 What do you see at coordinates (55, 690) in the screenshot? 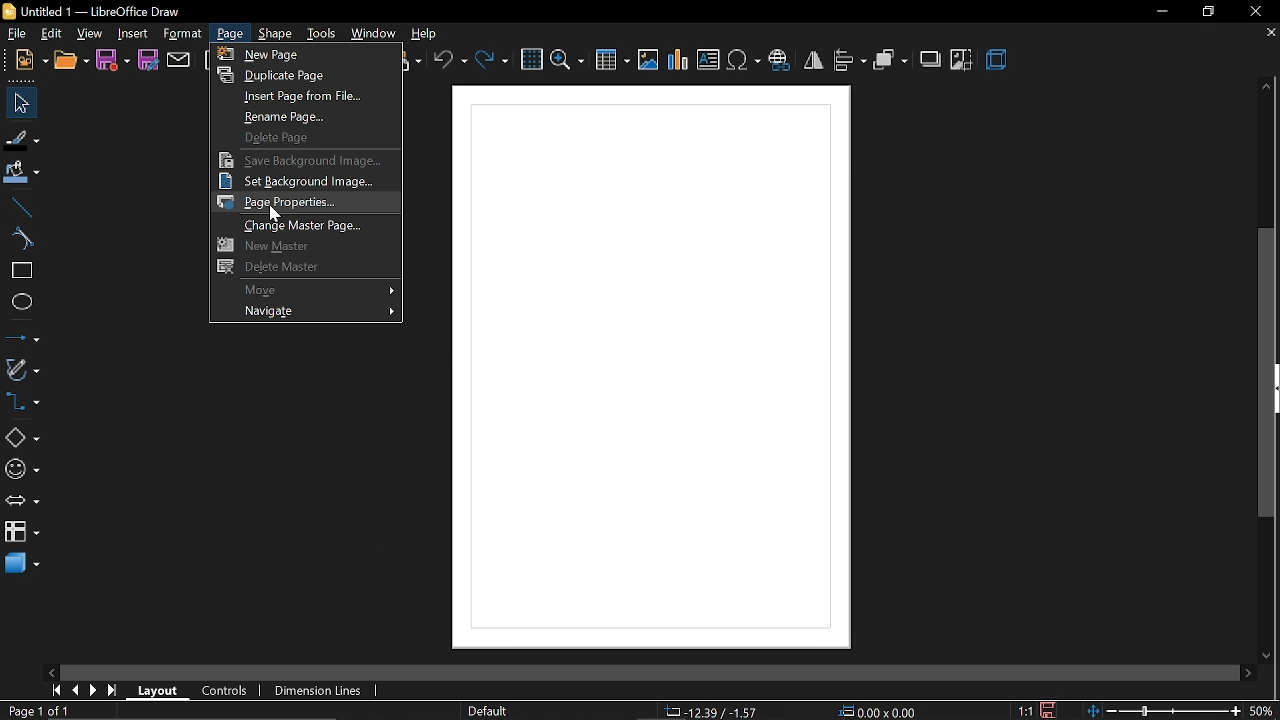
I see `go to first page` at bounding box center [55, 690].